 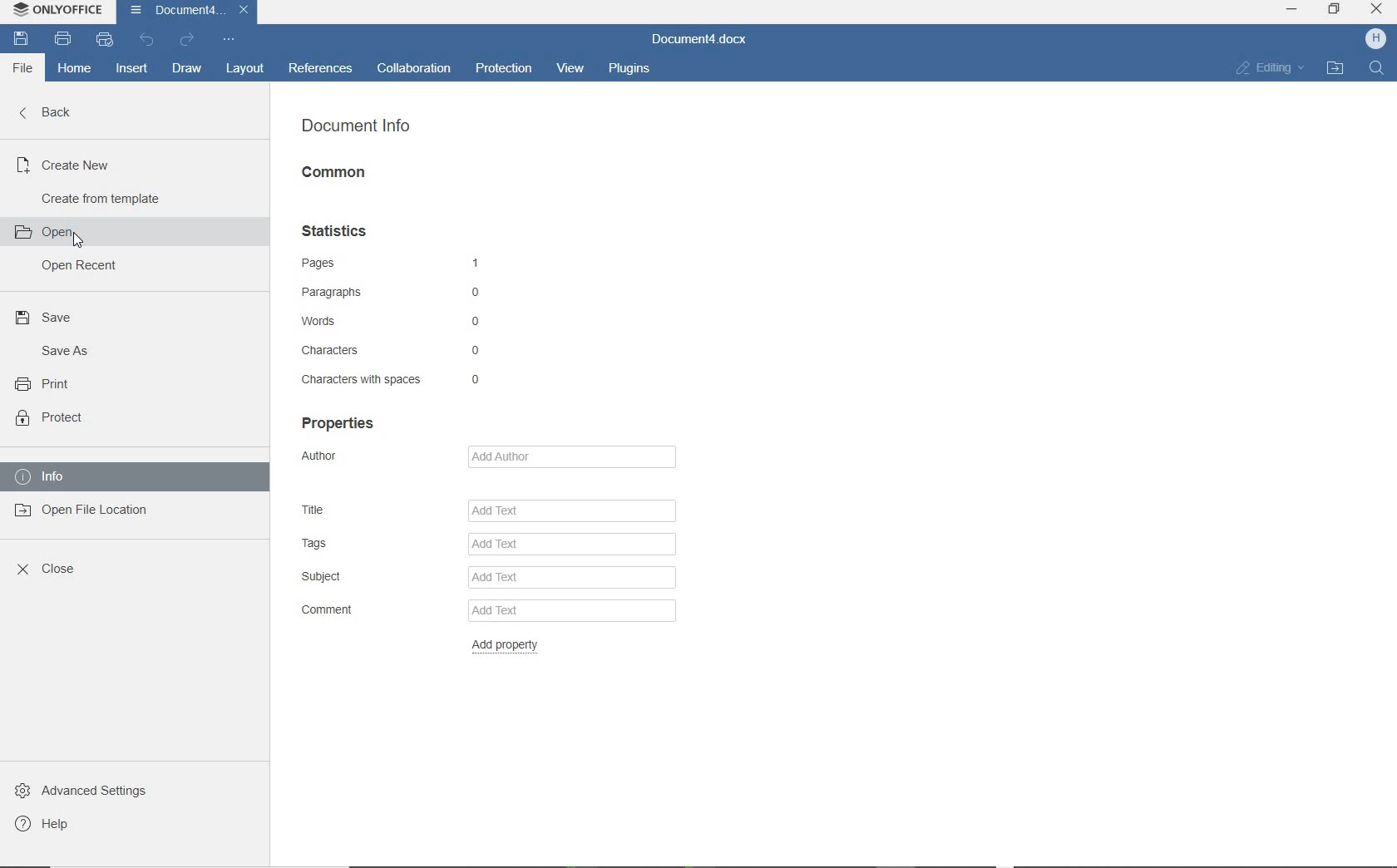 What do you see at coordinates (342, 175) in the screenshot?
I see `common` at bounding box center [342, 175].